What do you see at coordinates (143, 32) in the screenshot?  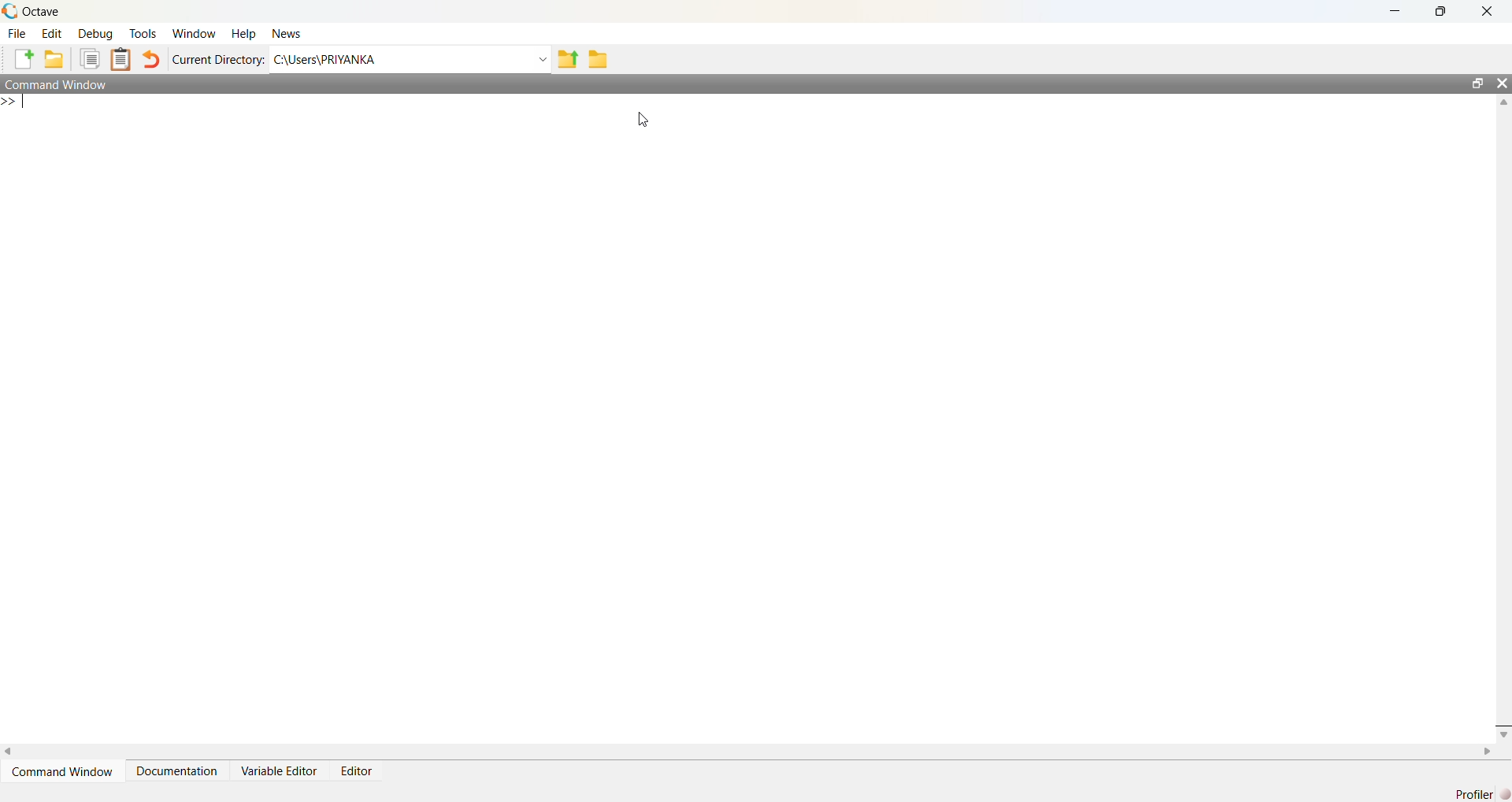 I see `Tools` at bounding box center [143, 32].